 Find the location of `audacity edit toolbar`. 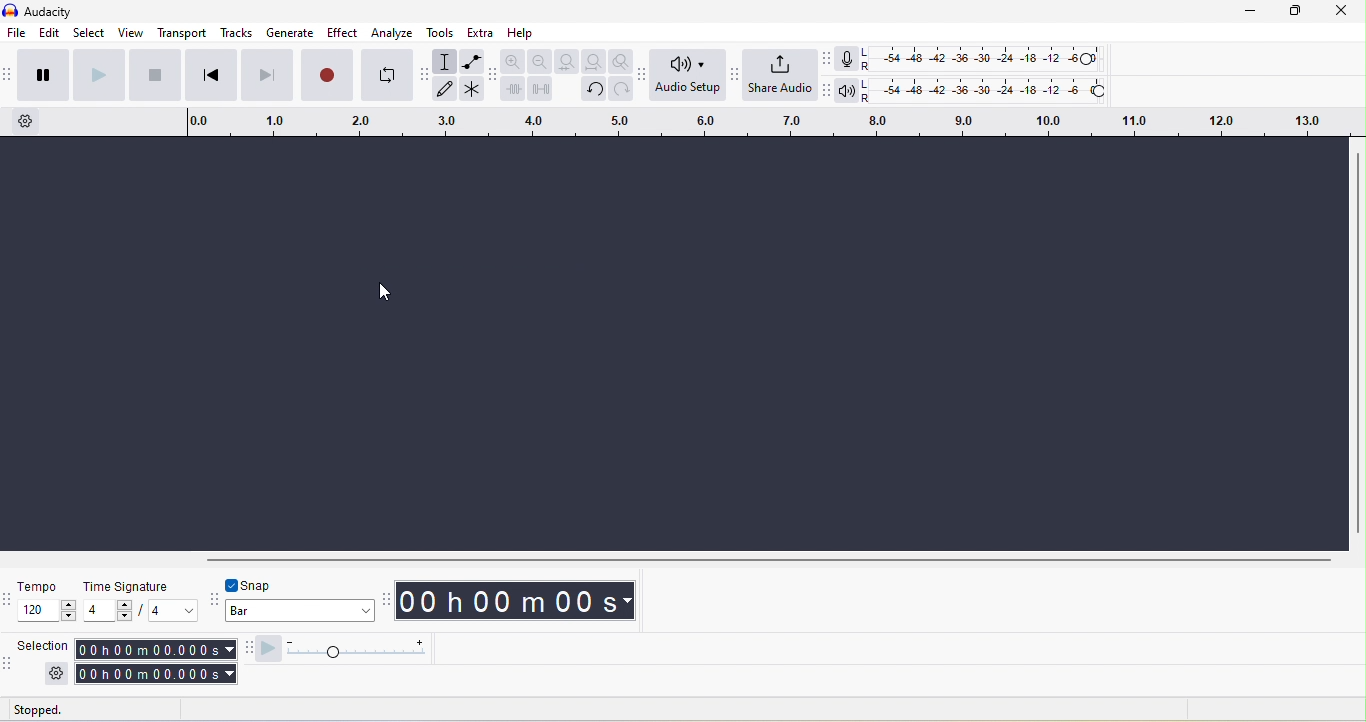

audacity edit toolbar is located at coordinates (492, 77).